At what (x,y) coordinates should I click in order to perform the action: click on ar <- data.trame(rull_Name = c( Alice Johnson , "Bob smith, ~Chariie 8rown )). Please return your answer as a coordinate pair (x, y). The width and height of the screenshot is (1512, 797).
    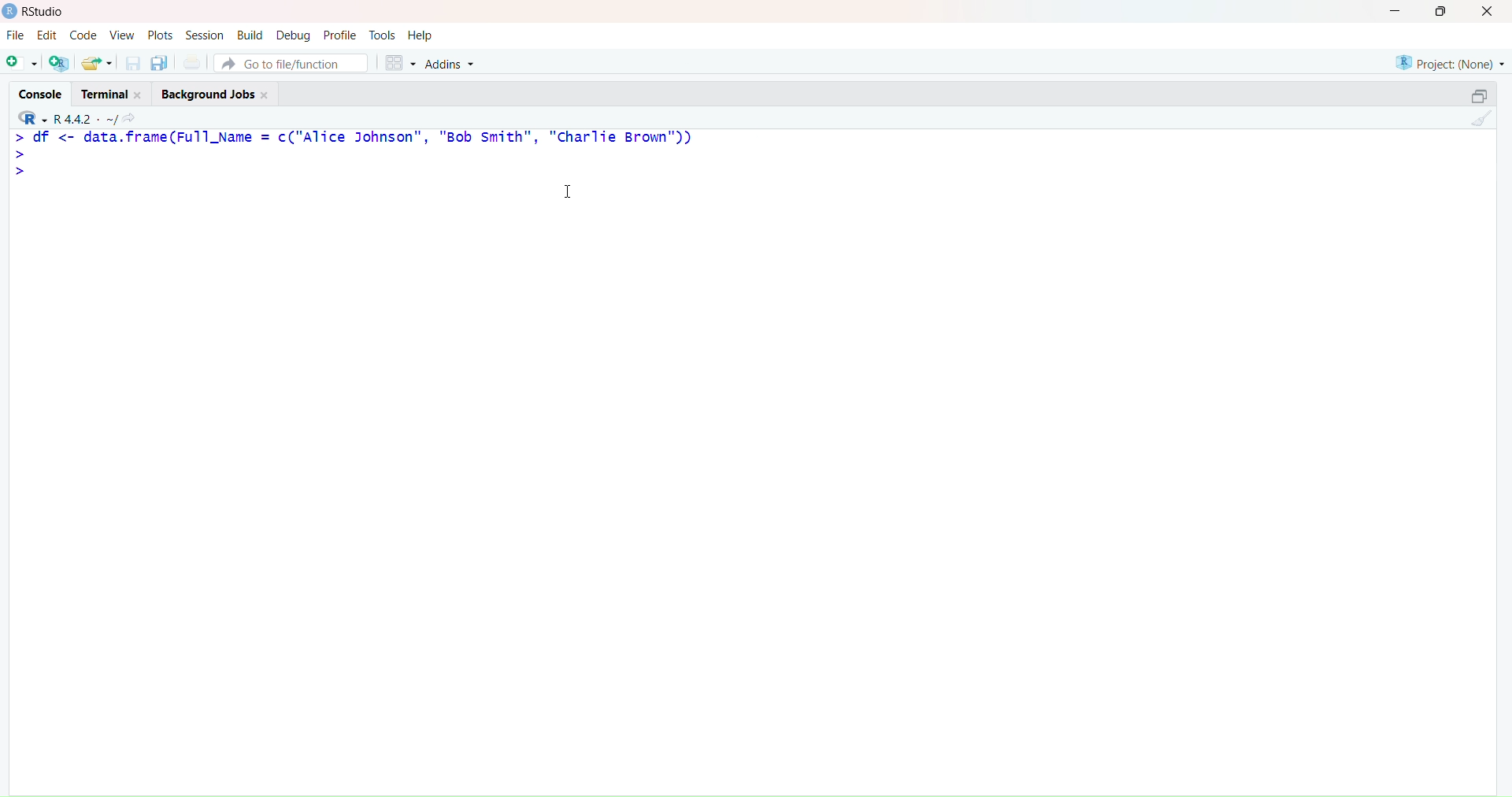
    Looking at the image, I should click on (353, 138).